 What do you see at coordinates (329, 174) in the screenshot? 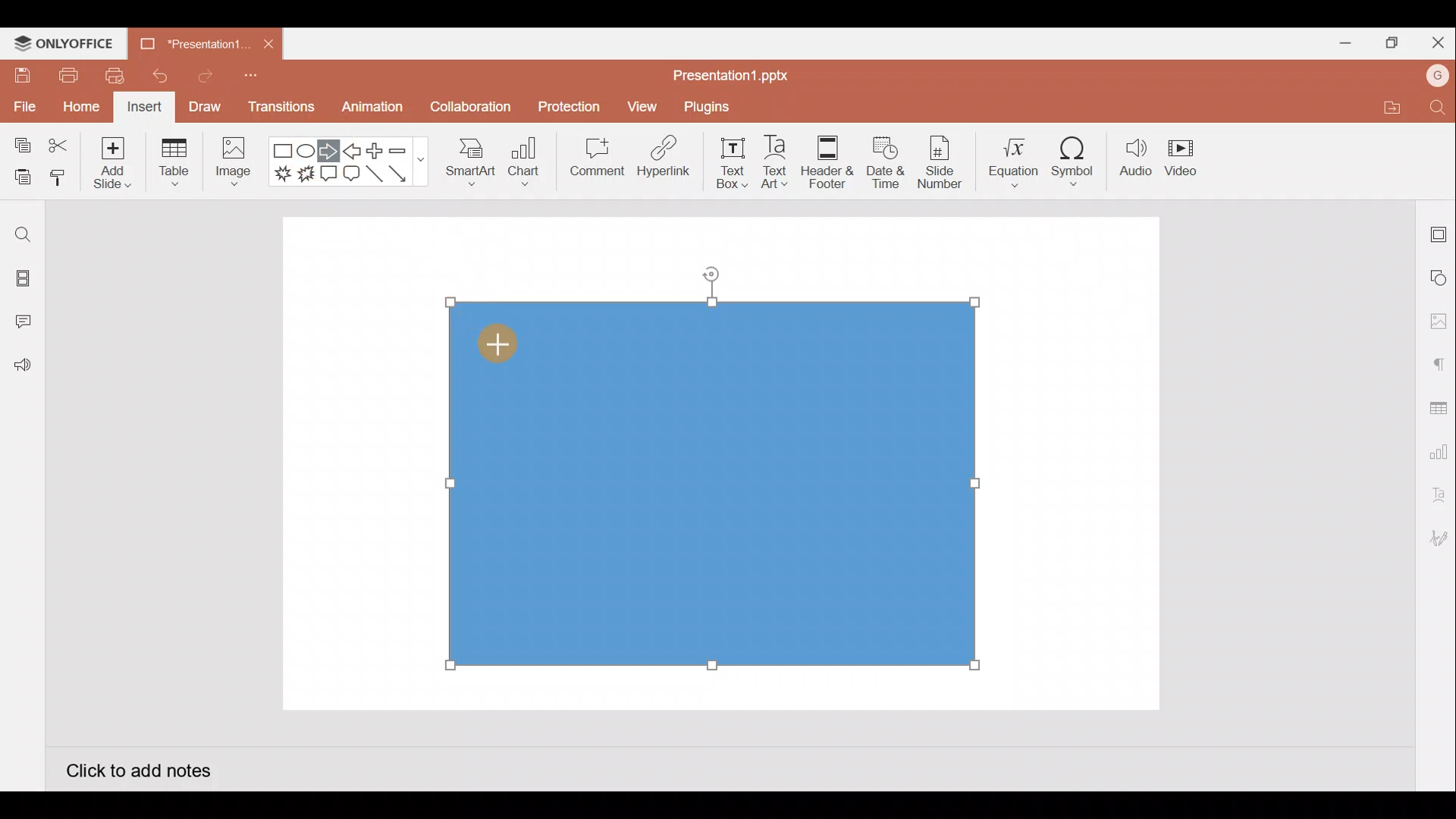
I see `Rectangular callout` at bounding box center [329, 174].